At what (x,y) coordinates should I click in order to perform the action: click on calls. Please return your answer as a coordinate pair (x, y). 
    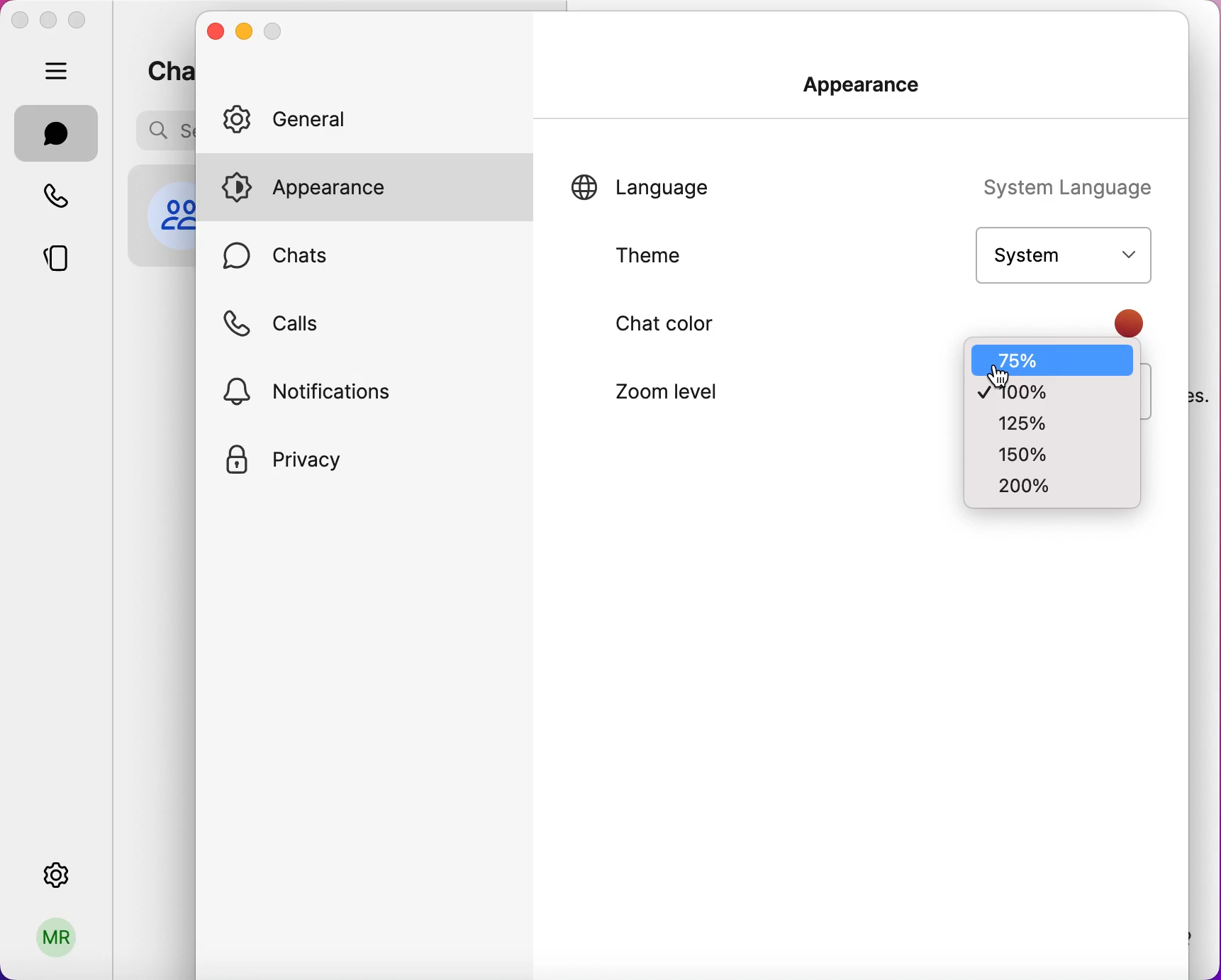
    Looking at the image, I should click on (281, 327).